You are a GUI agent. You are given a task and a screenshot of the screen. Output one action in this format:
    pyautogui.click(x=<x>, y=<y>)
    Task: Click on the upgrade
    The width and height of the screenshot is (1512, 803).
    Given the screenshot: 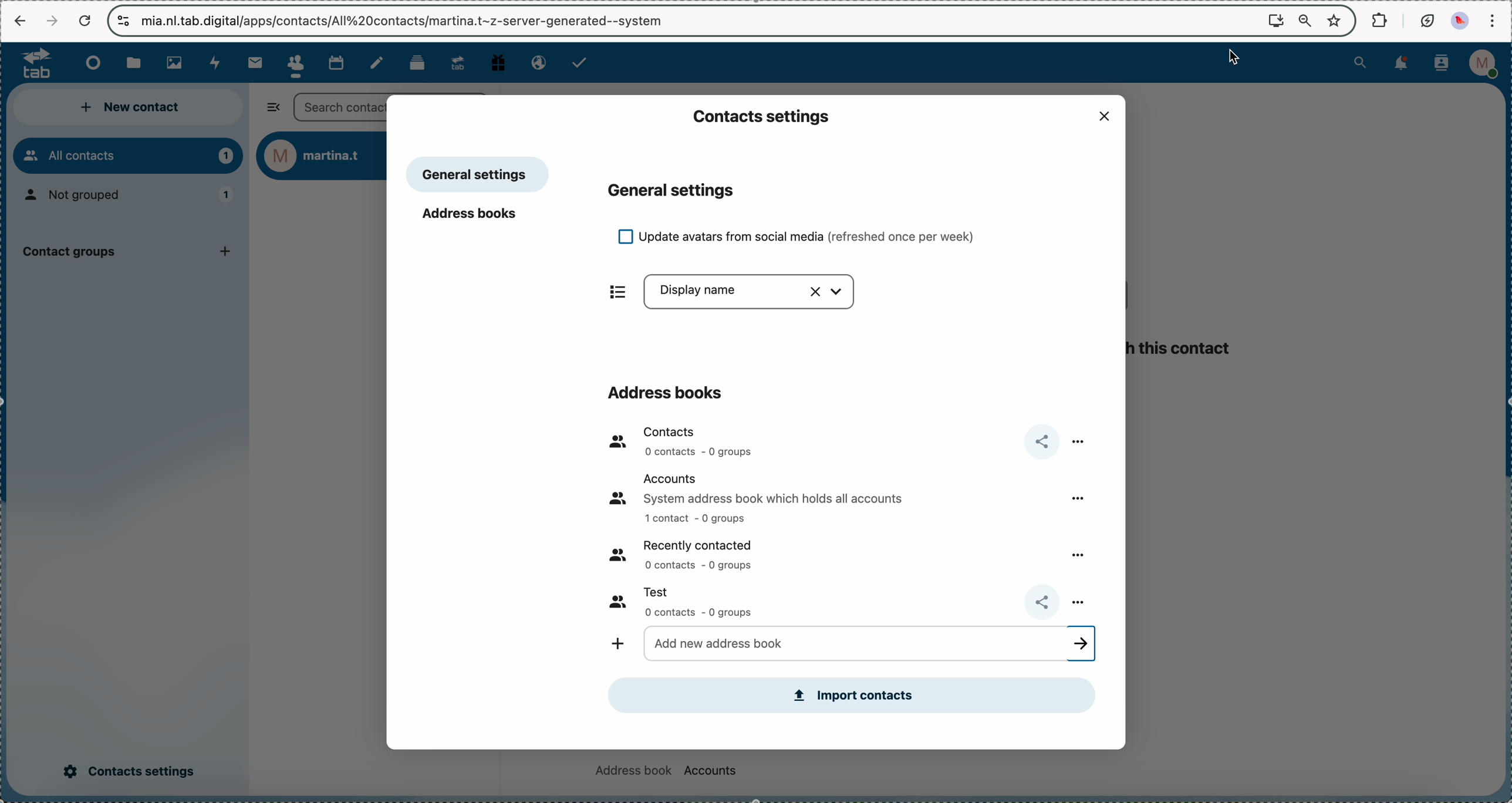 What is the action you would take?
    pyautogui.click(x=457, y=62)
    